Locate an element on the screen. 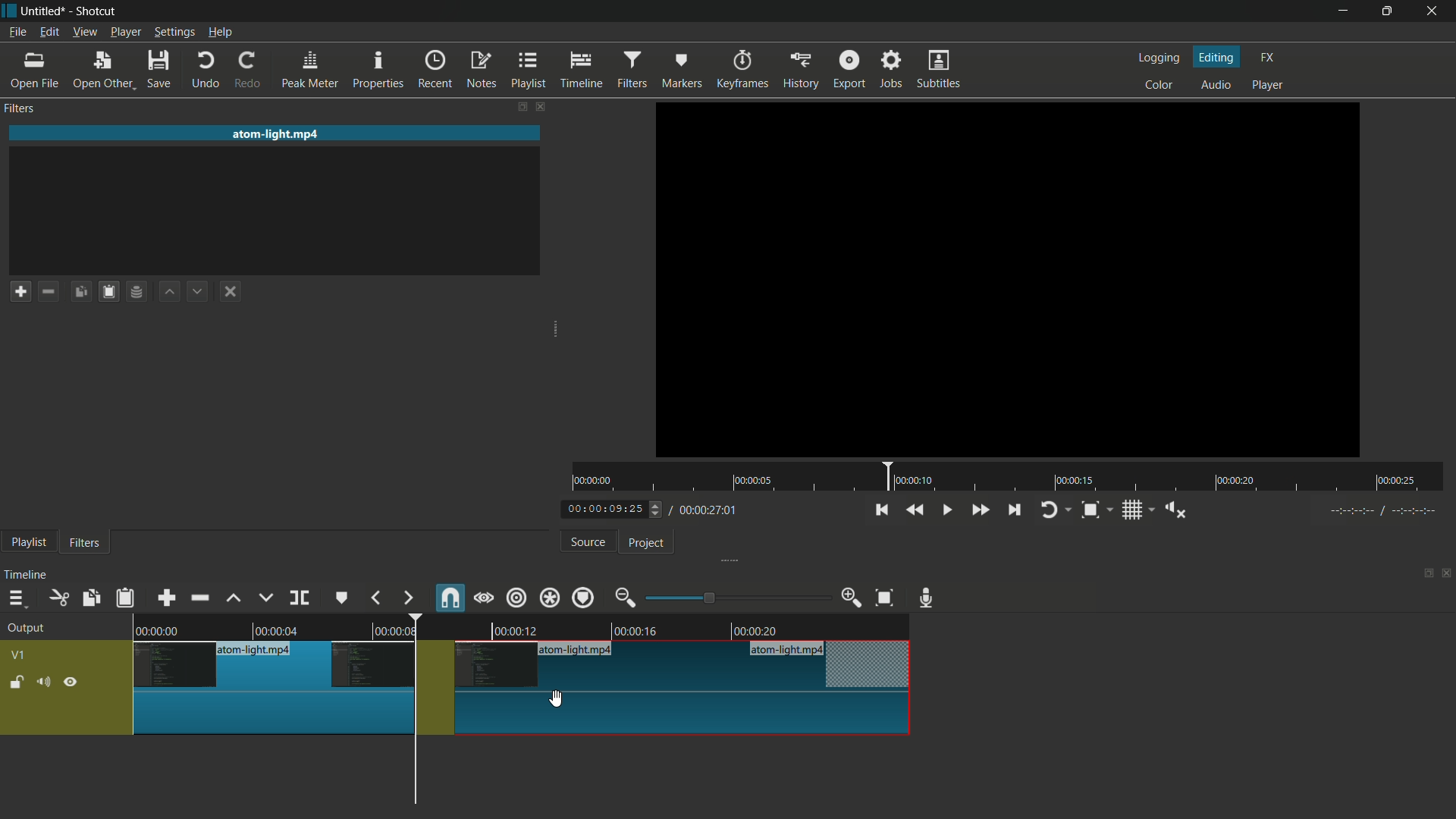 Image resolution: width=1456 pixels, height=819 pixels. settings menu is located at coordinates (174, 33).